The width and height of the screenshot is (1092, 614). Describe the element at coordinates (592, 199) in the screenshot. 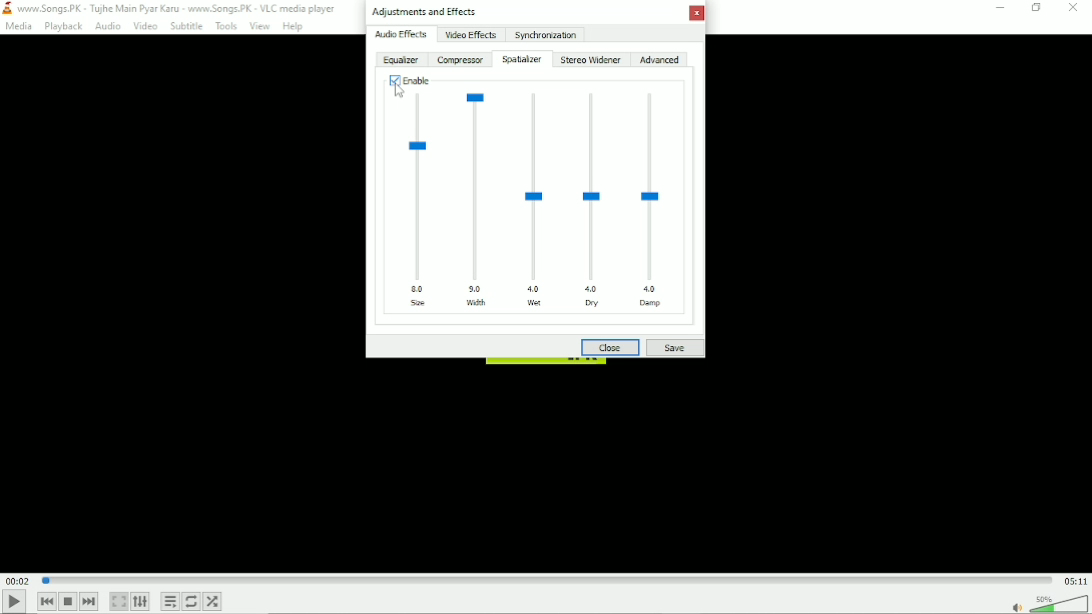

I see `Dry` at that location.